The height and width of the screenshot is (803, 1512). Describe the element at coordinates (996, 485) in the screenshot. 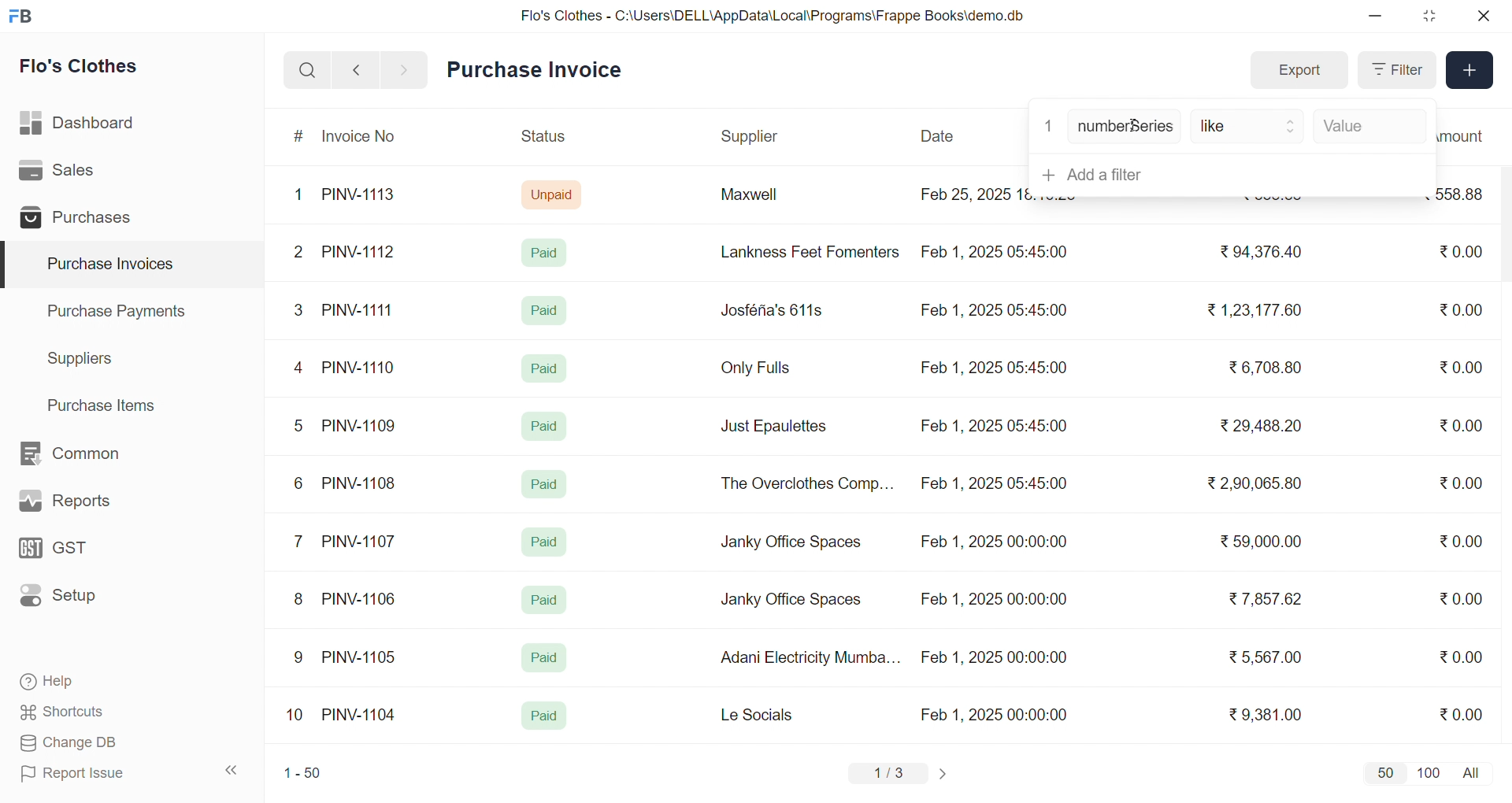

I see `Feb 1, 2025 05:45:00` at that location.